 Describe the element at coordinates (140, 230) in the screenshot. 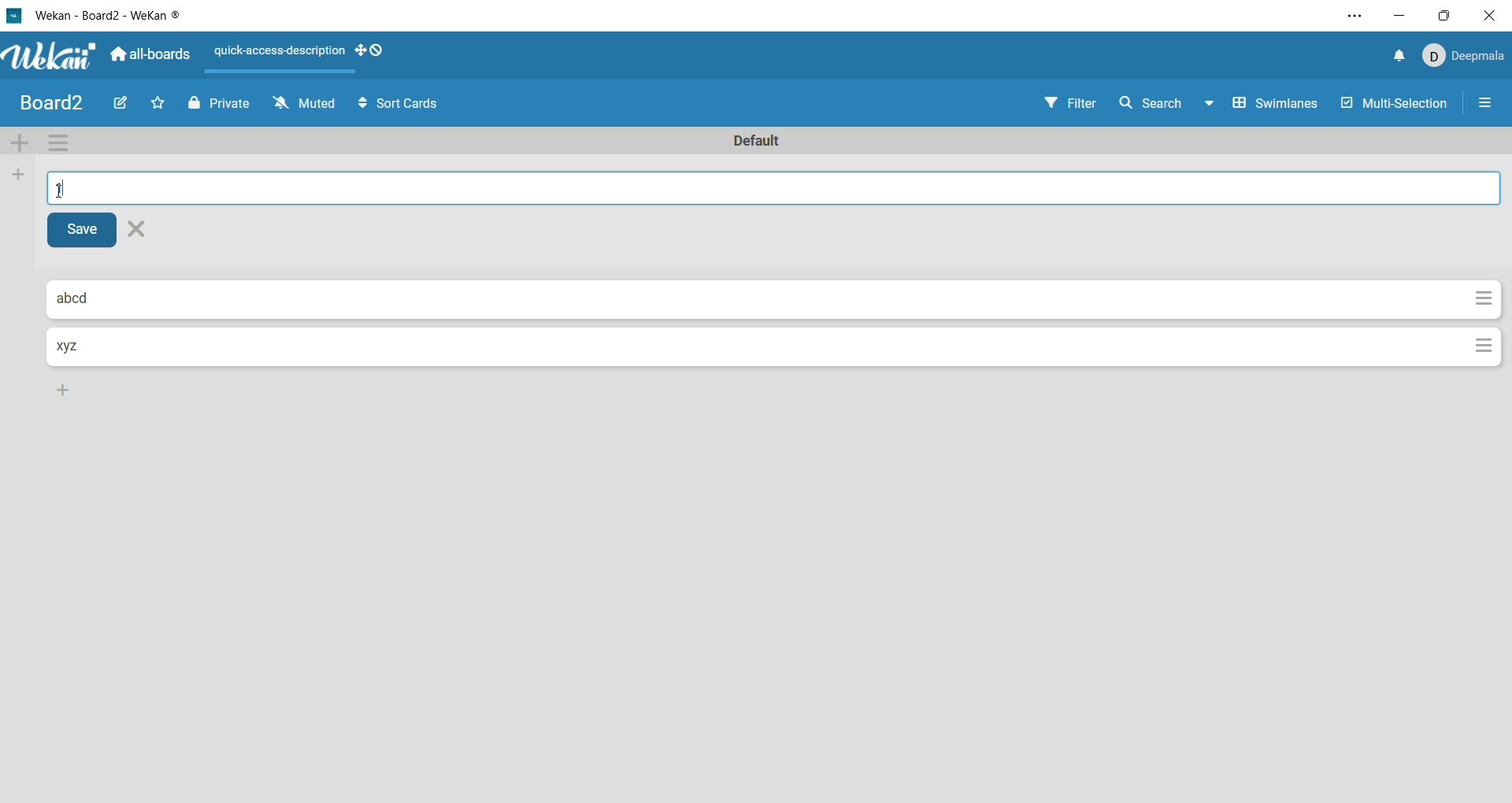

I see `close` at that location.